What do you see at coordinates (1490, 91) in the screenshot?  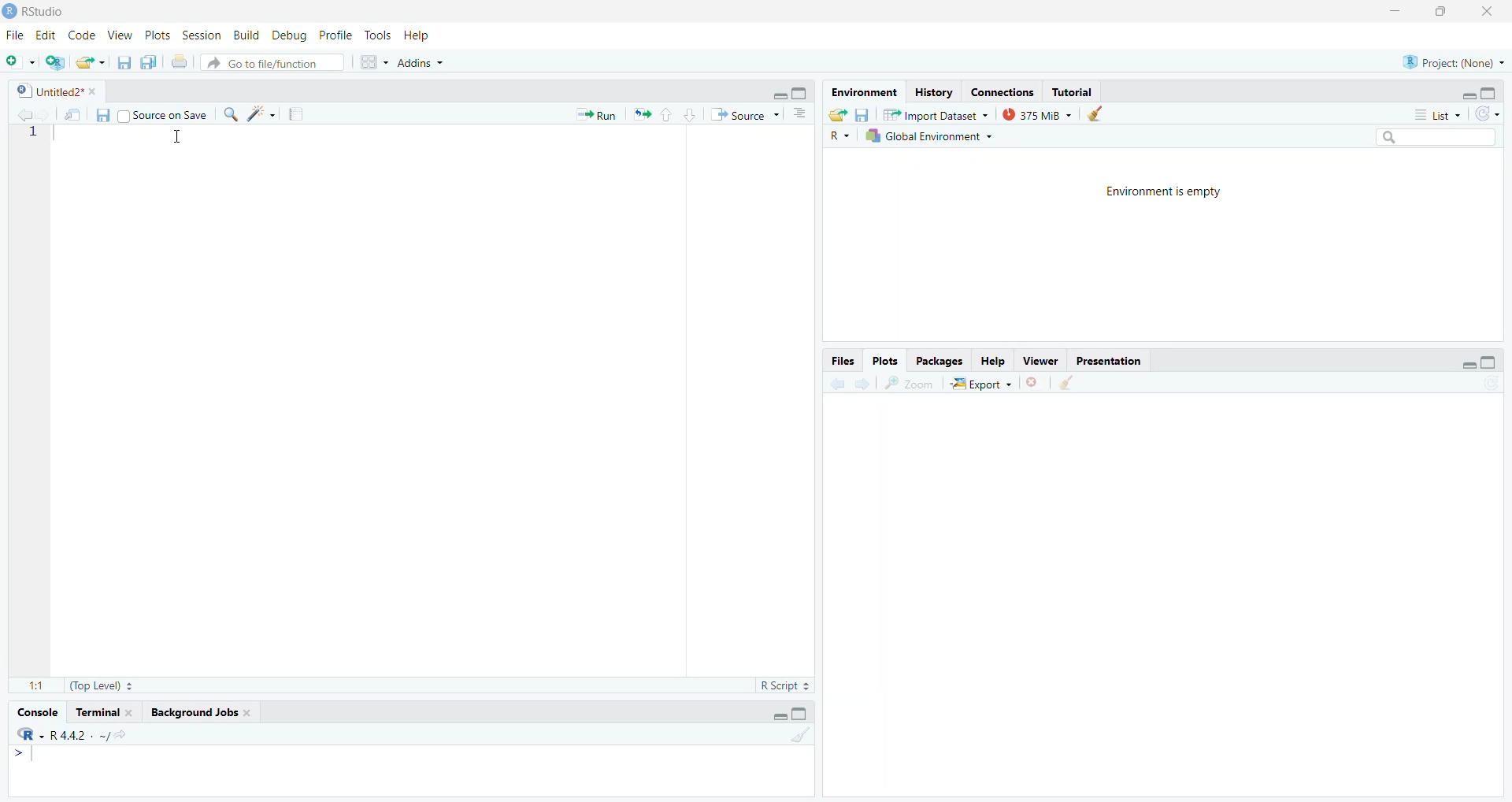 I see `hide console` at bounding box center [1490, 91].